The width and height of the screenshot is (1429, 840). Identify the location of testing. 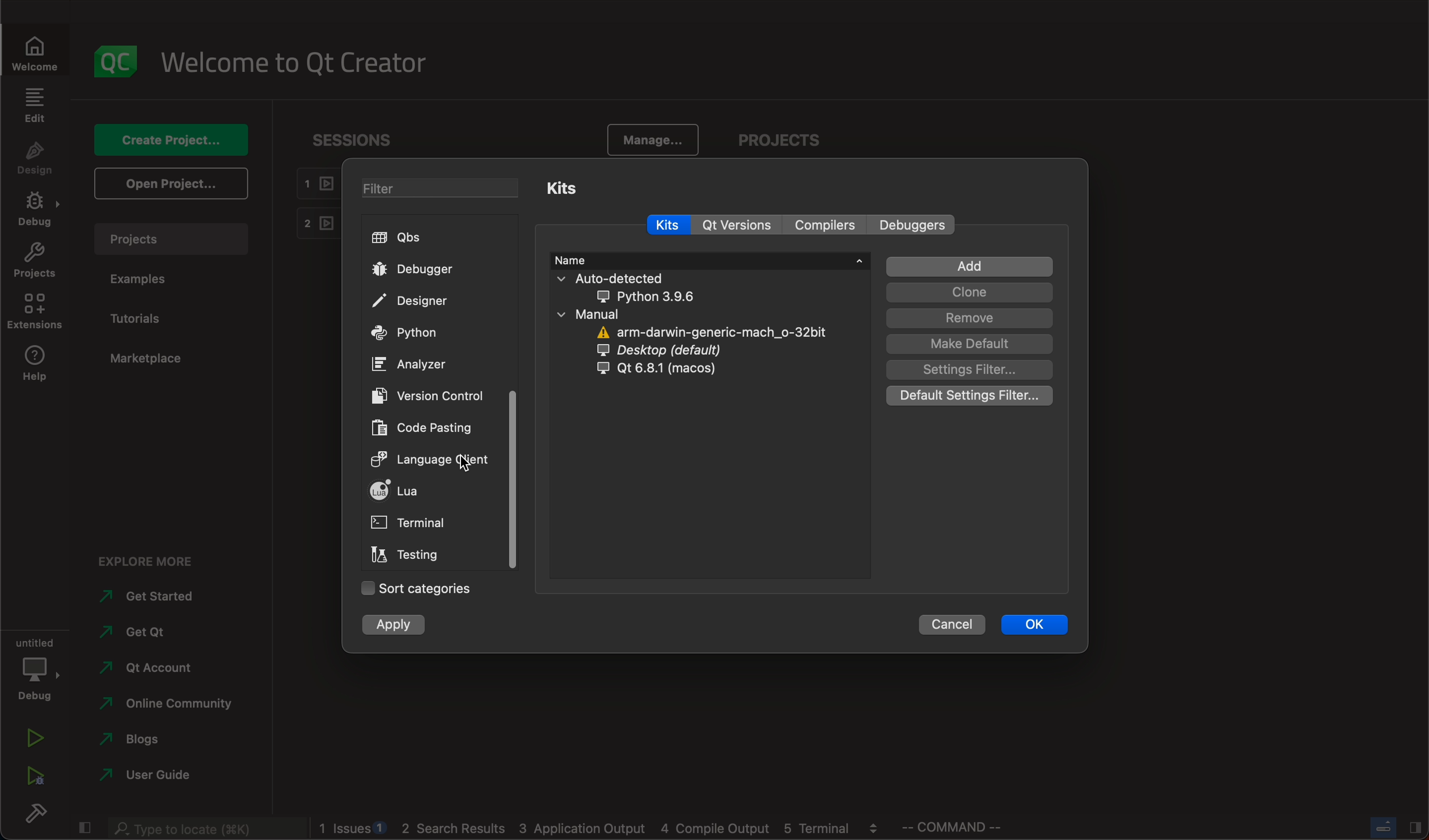
(407, 554).